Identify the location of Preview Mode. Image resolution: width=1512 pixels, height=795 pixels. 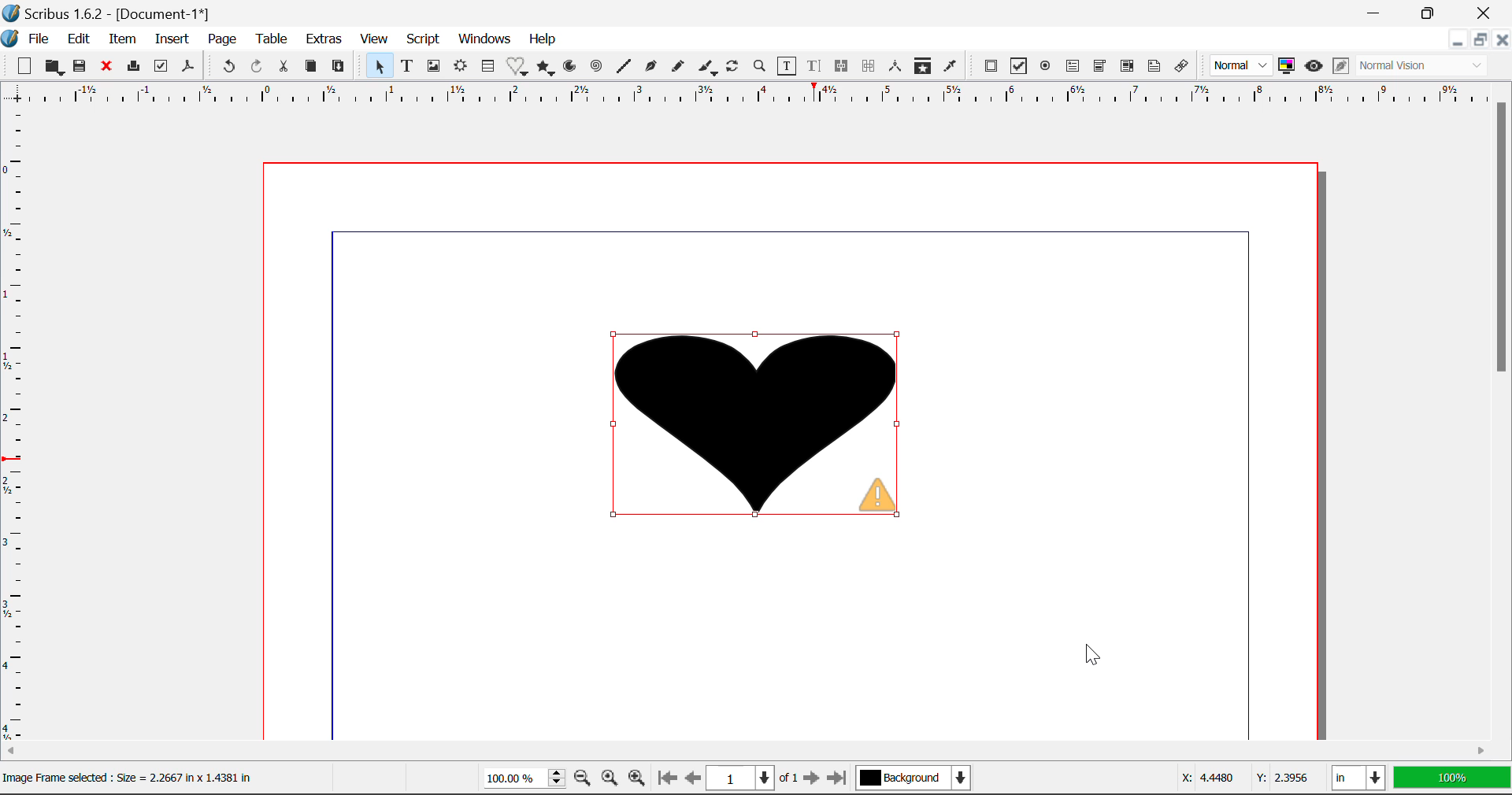
(1314, 68).